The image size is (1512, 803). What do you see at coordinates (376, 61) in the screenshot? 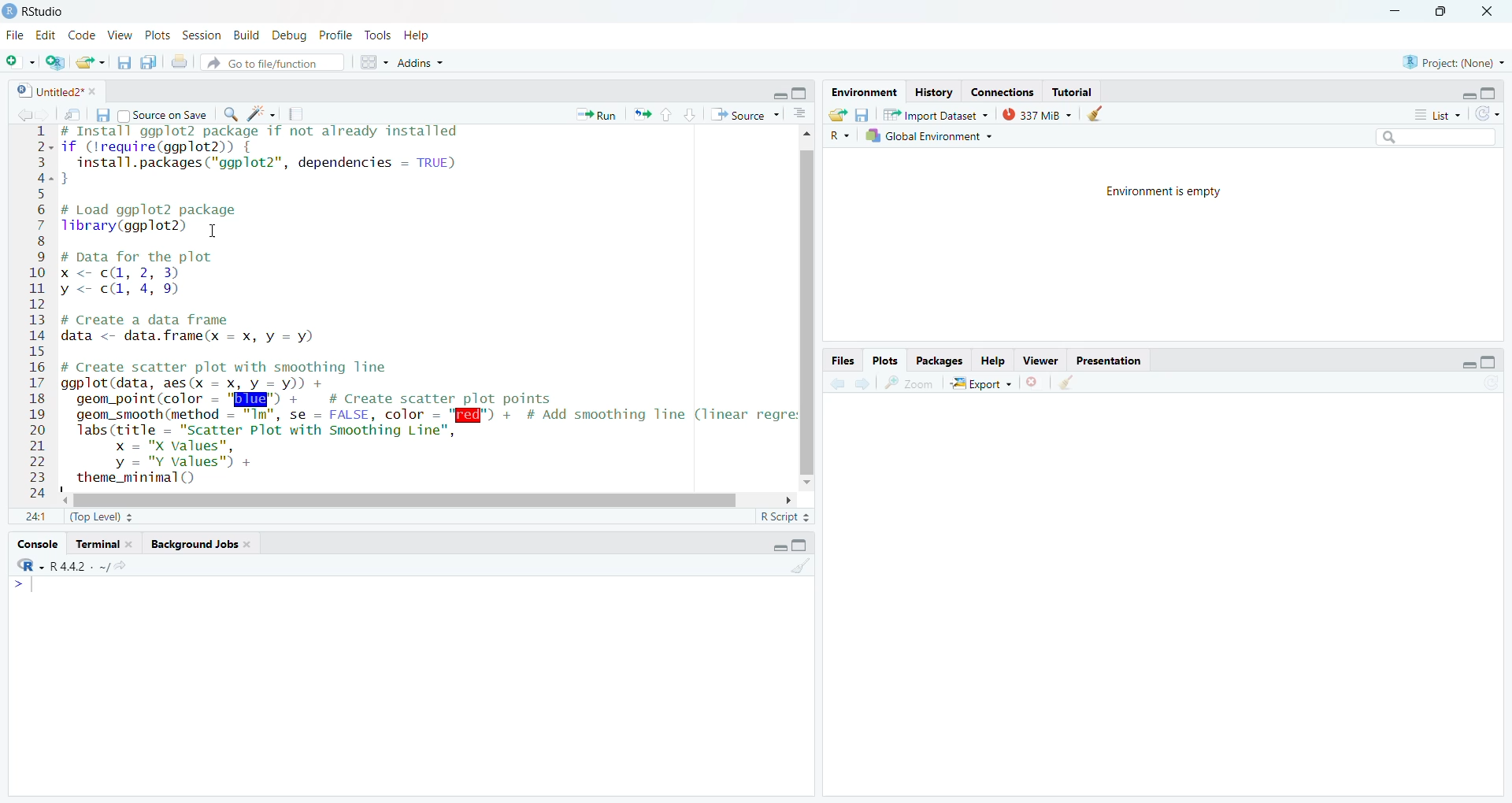
I see `workspace pane` at bounding box center [376, 61].